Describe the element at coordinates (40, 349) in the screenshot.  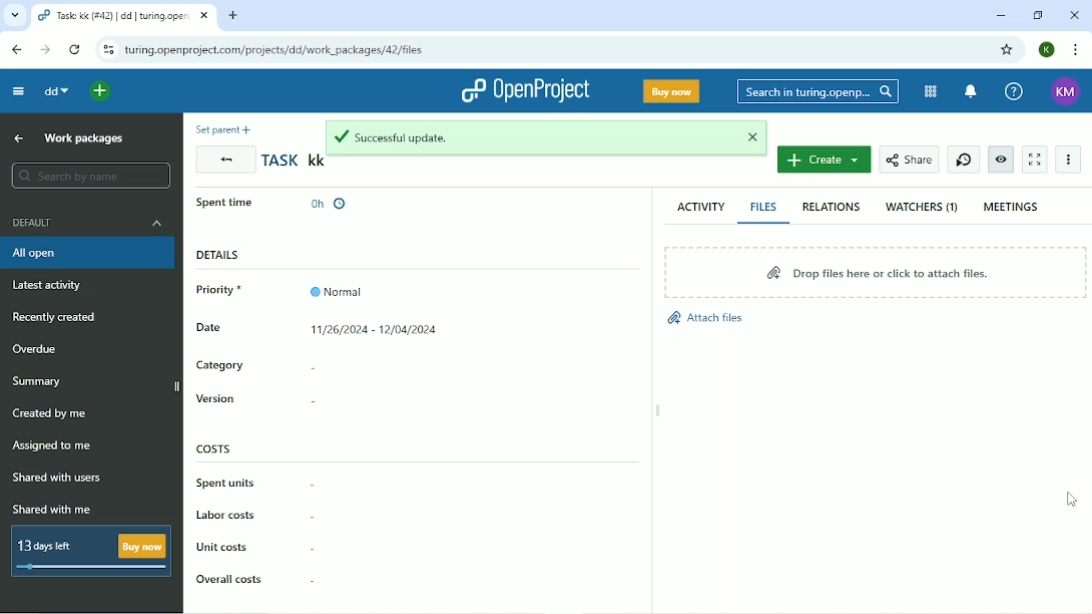
I see `Overdue` at that location.